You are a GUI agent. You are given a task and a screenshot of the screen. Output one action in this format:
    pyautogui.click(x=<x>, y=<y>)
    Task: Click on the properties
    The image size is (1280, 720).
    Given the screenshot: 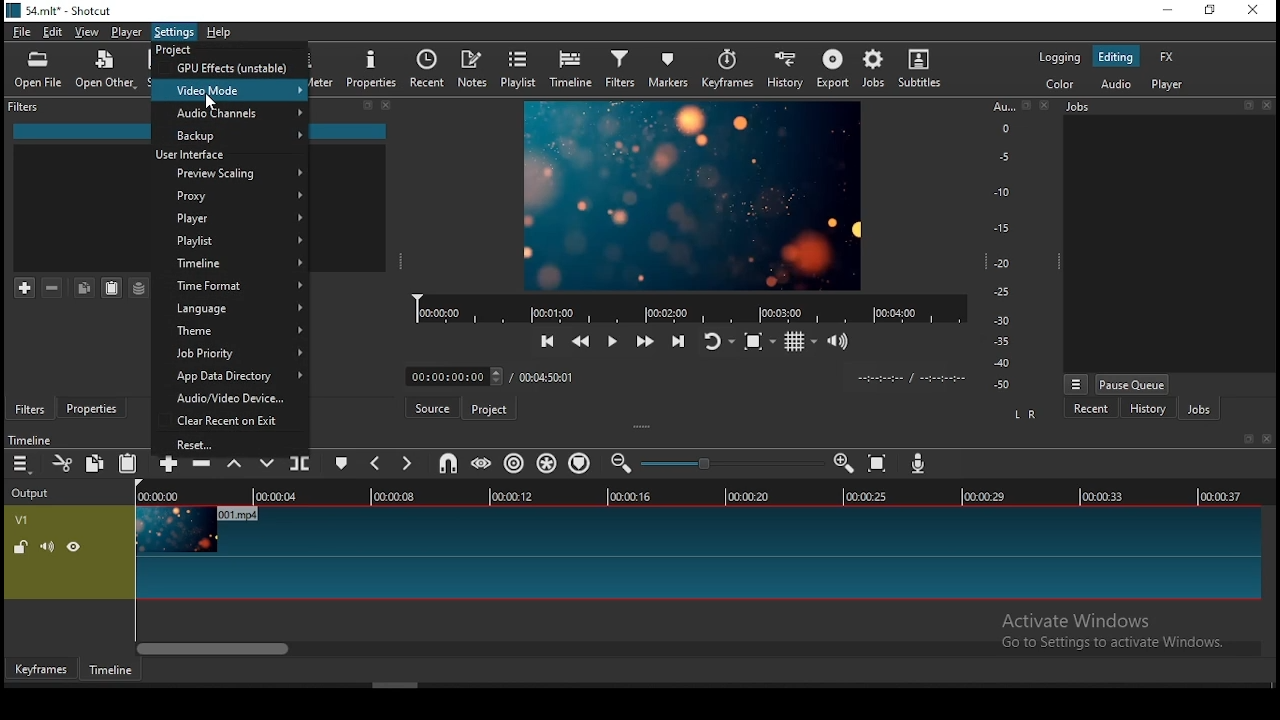 What is the action you would take?
    pyautogui.click(x=90, y=405)
    